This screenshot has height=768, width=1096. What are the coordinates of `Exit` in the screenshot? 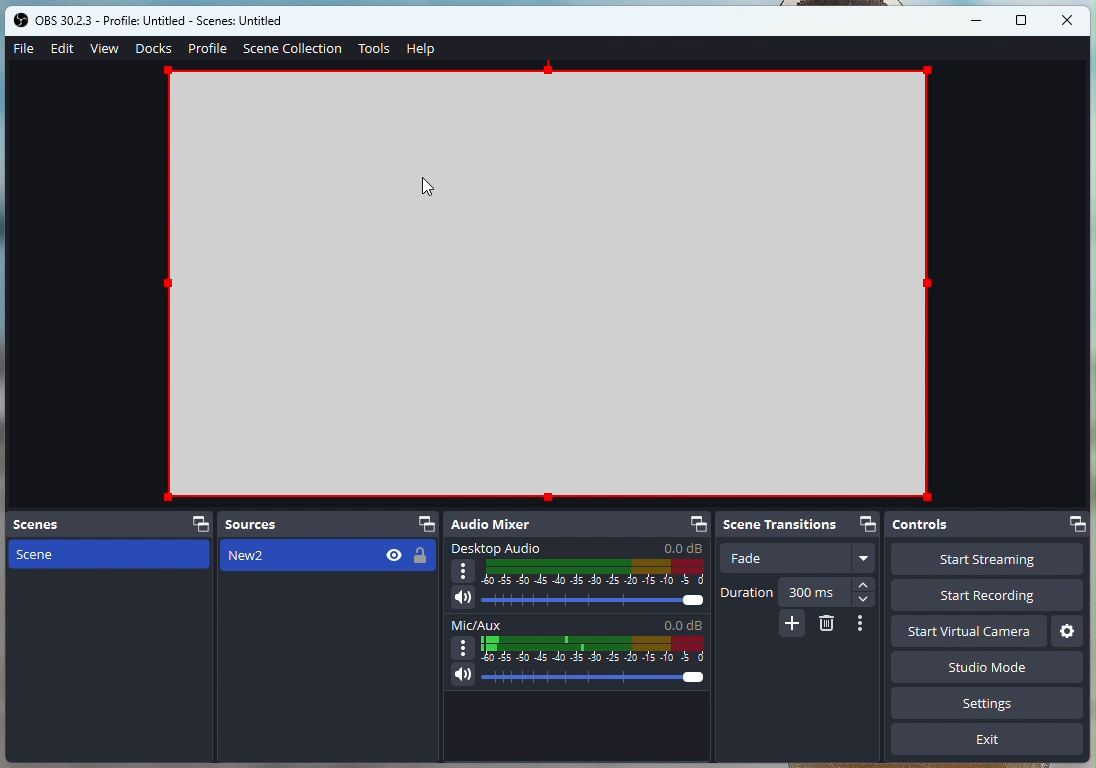 It's located at (987, 743).